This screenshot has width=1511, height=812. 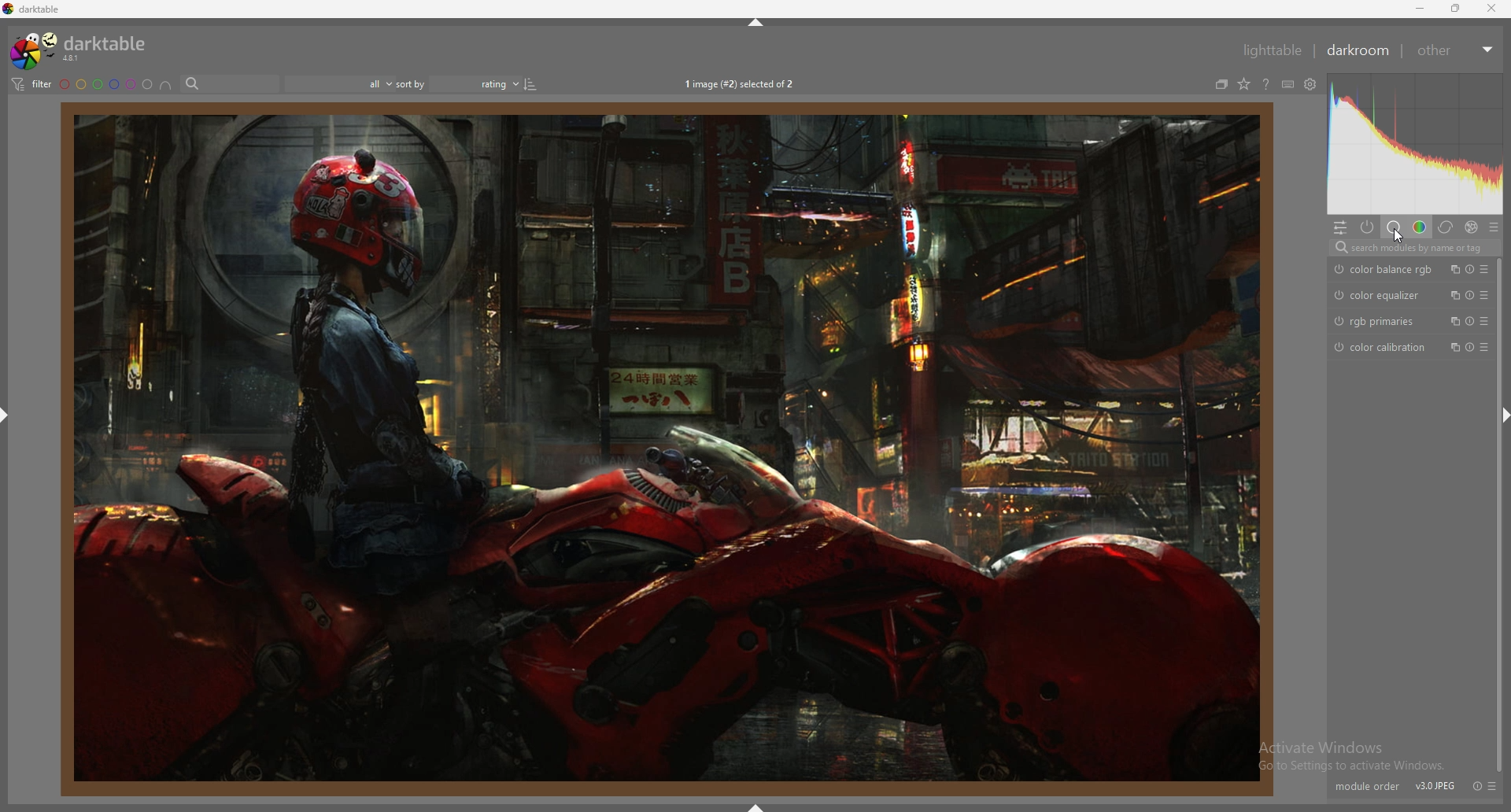 What do you see at coordinates (1470, 296) in the screenshot?
I see `reset` at bounding box center [1470, 296].